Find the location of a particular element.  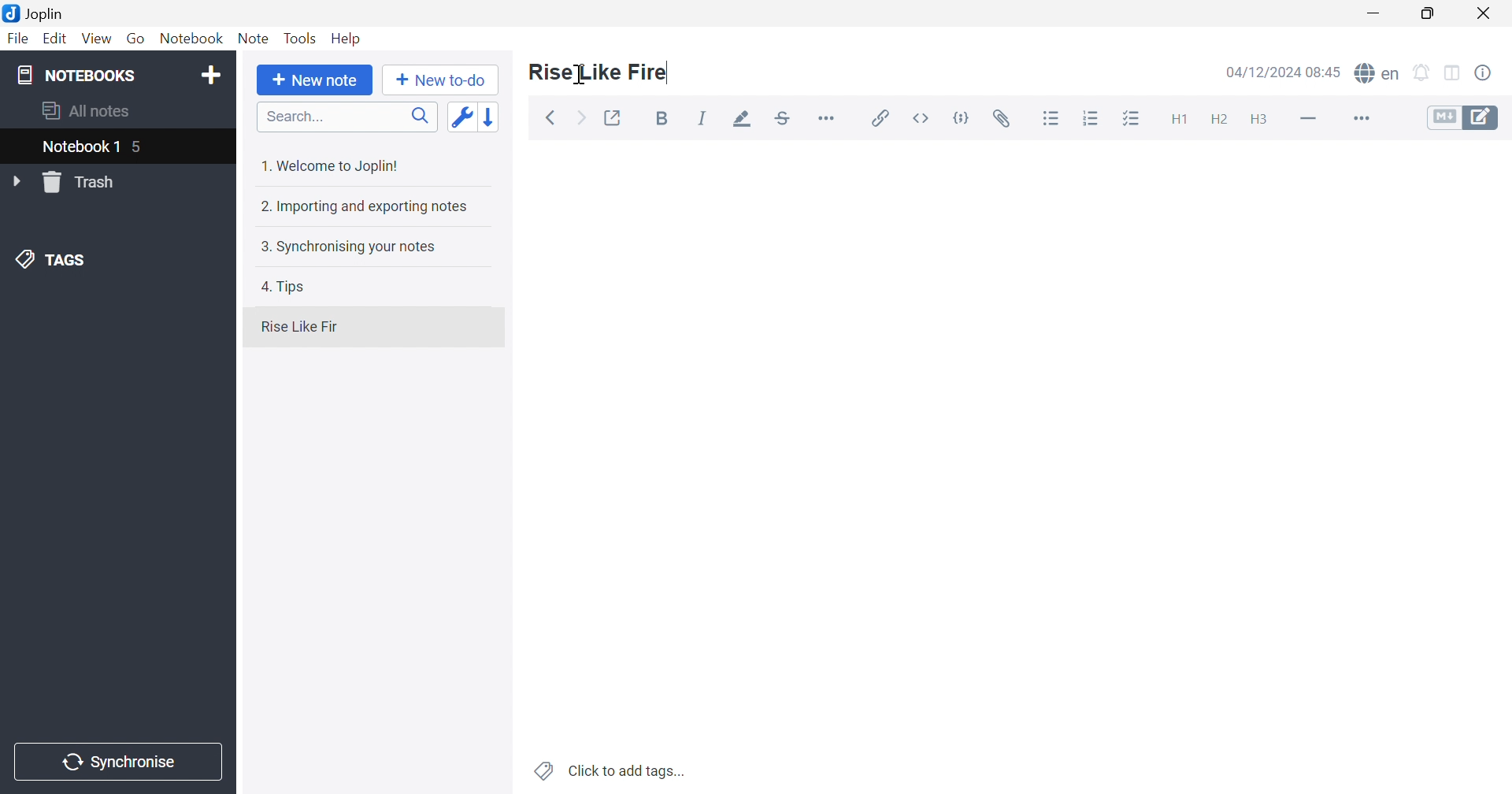

cursor is located at coordinates (578, 76).